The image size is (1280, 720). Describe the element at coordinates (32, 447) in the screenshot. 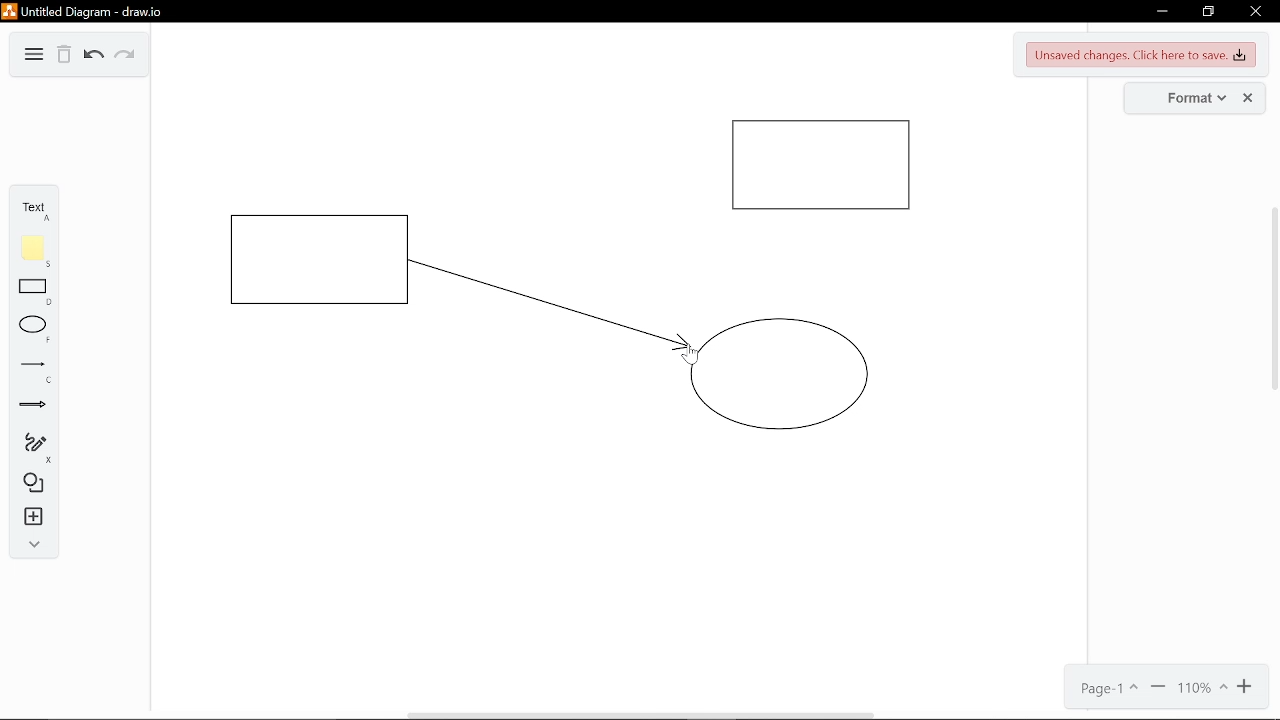

I see `Freehand` at that location.